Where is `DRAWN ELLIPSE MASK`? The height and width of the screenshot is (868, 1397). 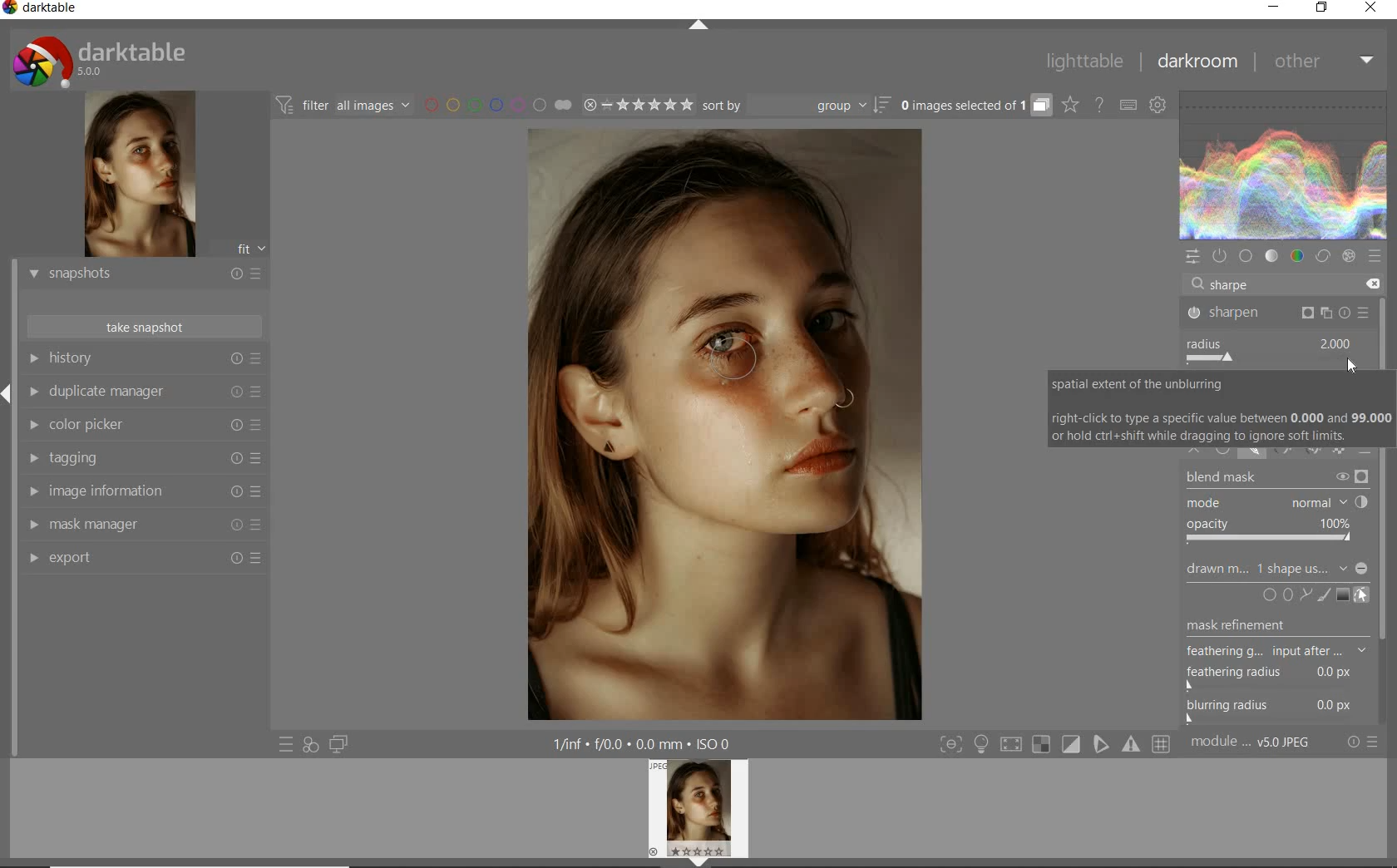
DRAWN ELLIPSE MASK is located at coordinates (740, 359).